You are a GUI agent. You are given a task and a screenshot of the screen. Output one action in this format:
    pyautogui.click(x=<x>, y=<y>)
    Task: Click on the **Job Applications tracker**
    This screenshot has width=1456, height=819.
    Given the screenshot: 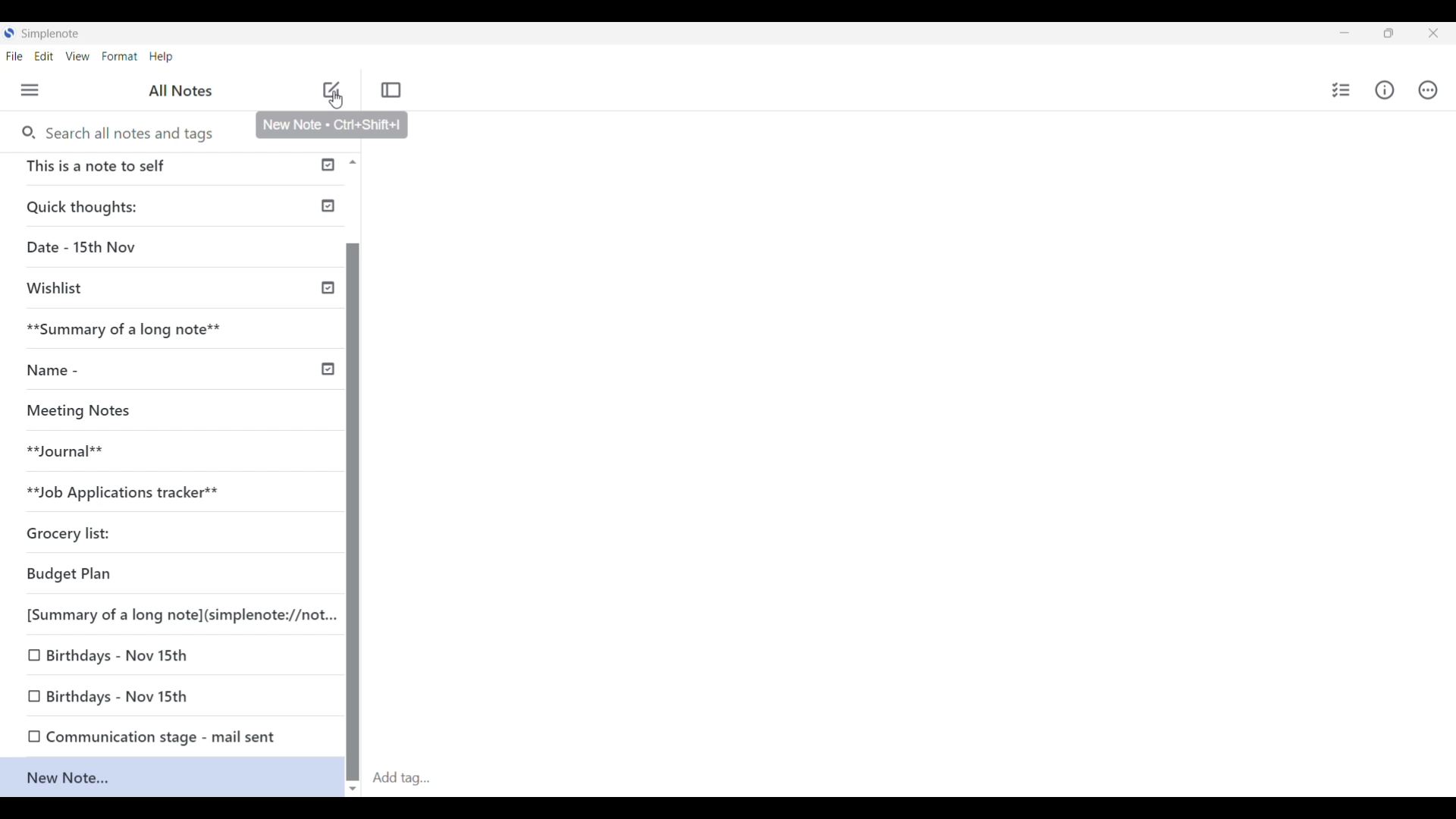 What is the action you would take?
    pyautogui.click(x=136, y=493)
    